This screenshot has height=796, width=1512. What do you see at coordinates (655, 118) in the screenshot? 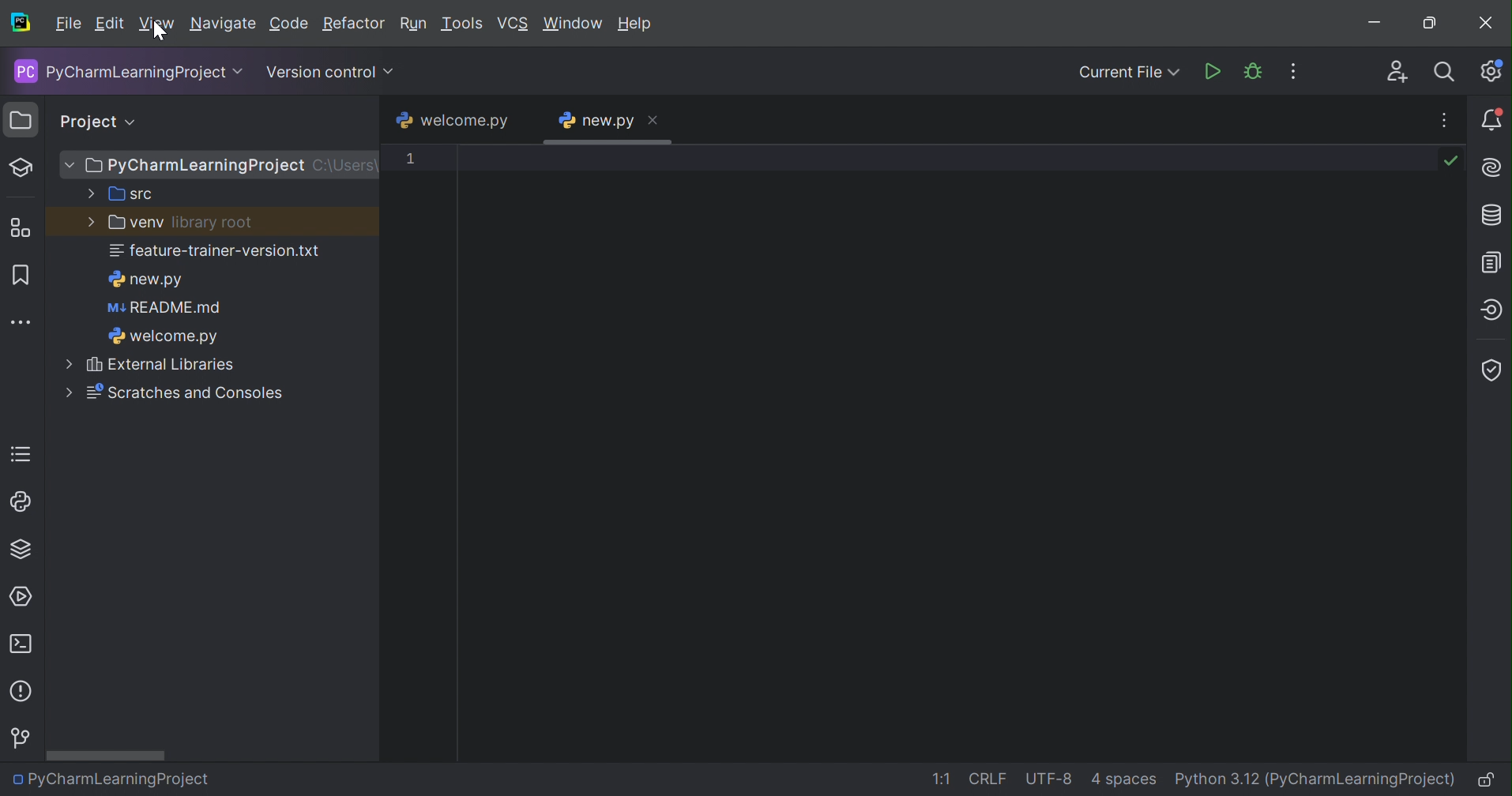
I see `Close` at bounding box center [655, 118].